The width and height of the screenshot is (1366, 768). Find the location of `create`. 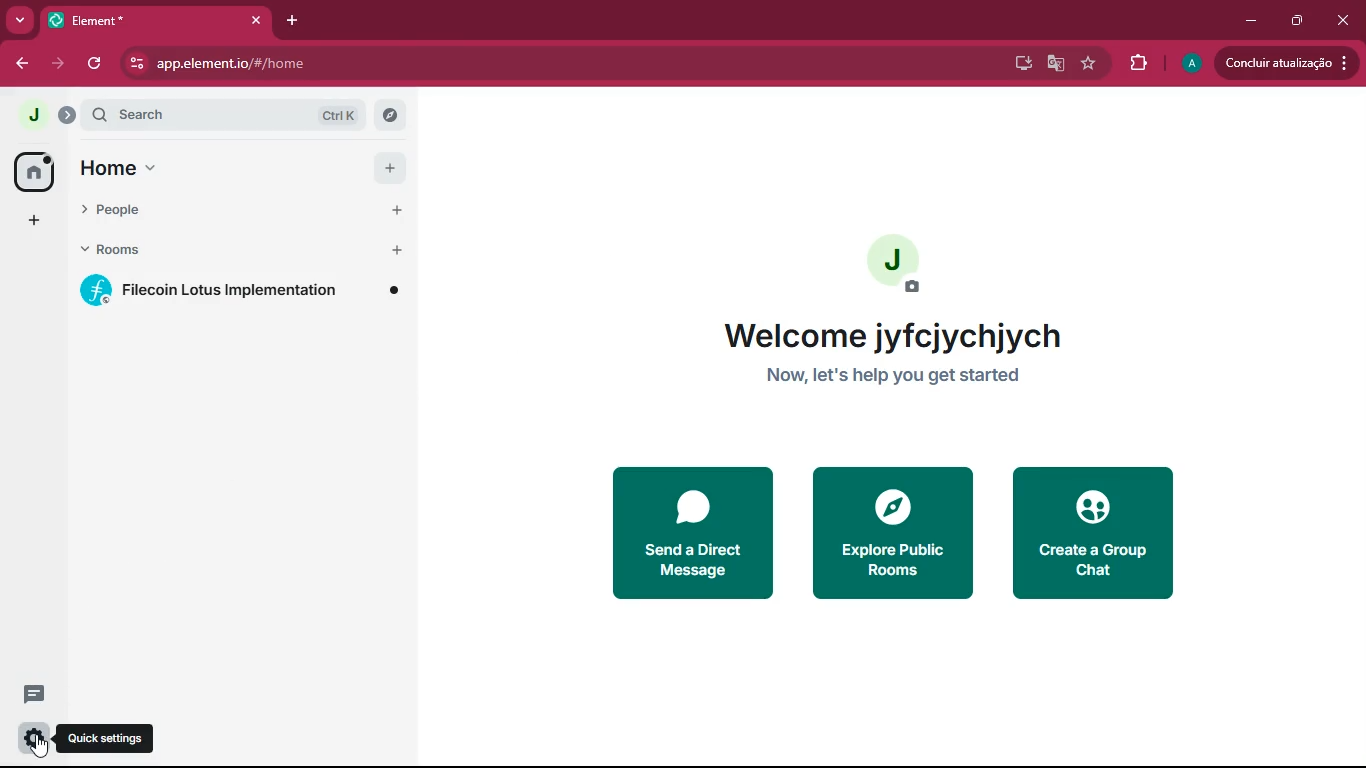

create is located at coordinates (1095, 534).